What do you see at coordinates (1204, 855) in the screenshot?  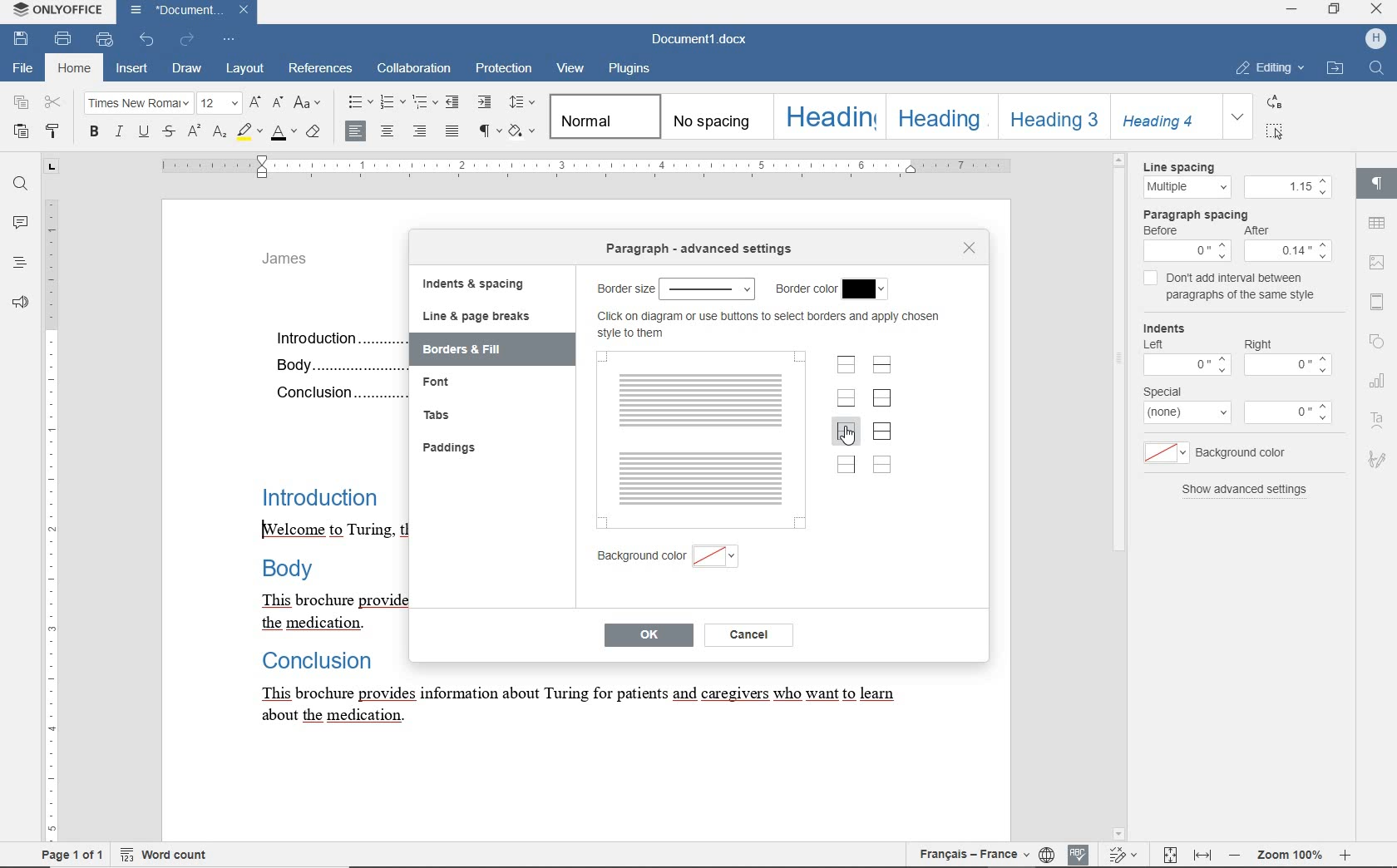 I see `fit to width` at bounding box center [1204, 855].